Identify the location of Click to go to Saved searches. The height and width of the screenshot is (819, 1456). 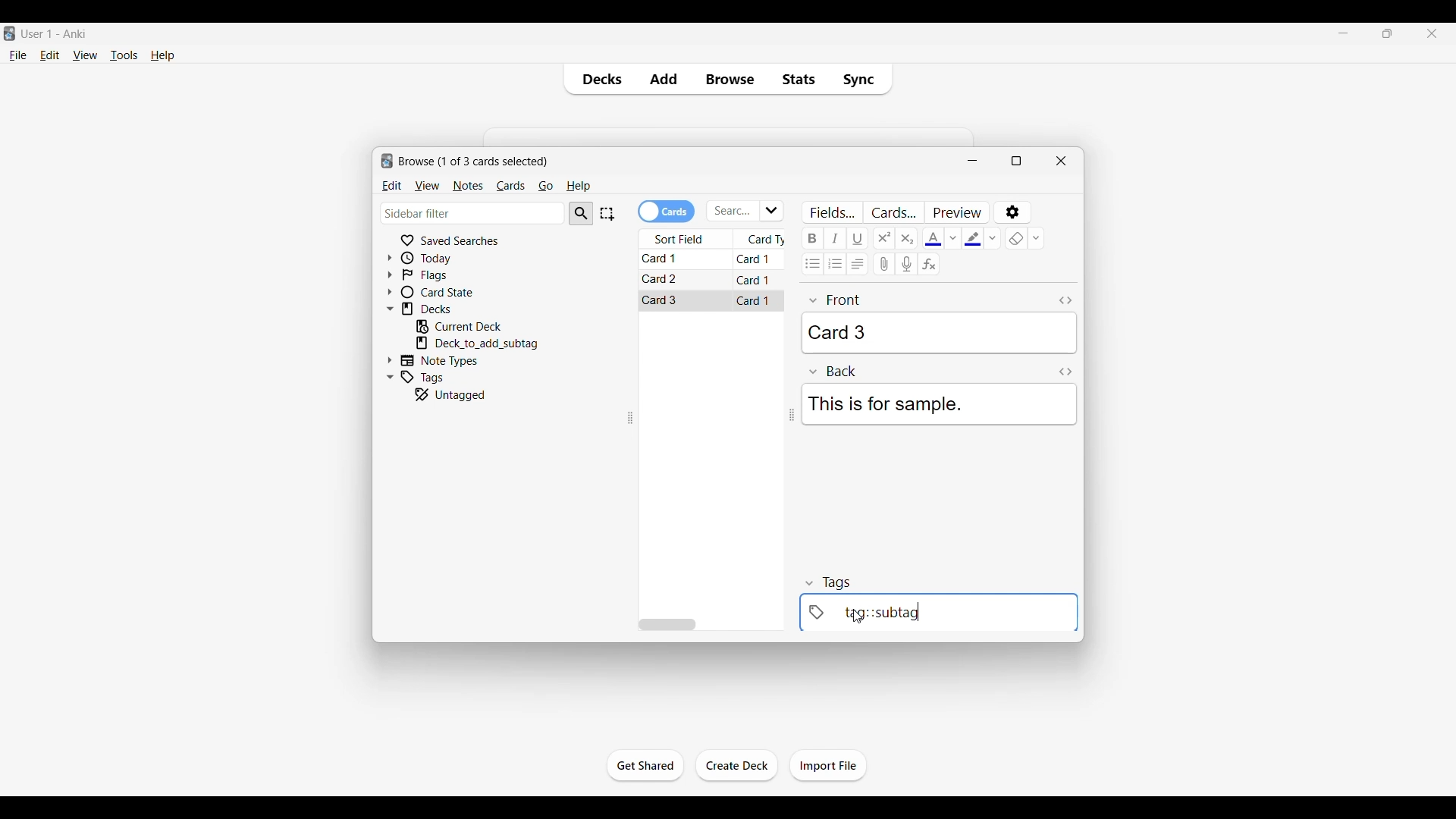
(448, 240).